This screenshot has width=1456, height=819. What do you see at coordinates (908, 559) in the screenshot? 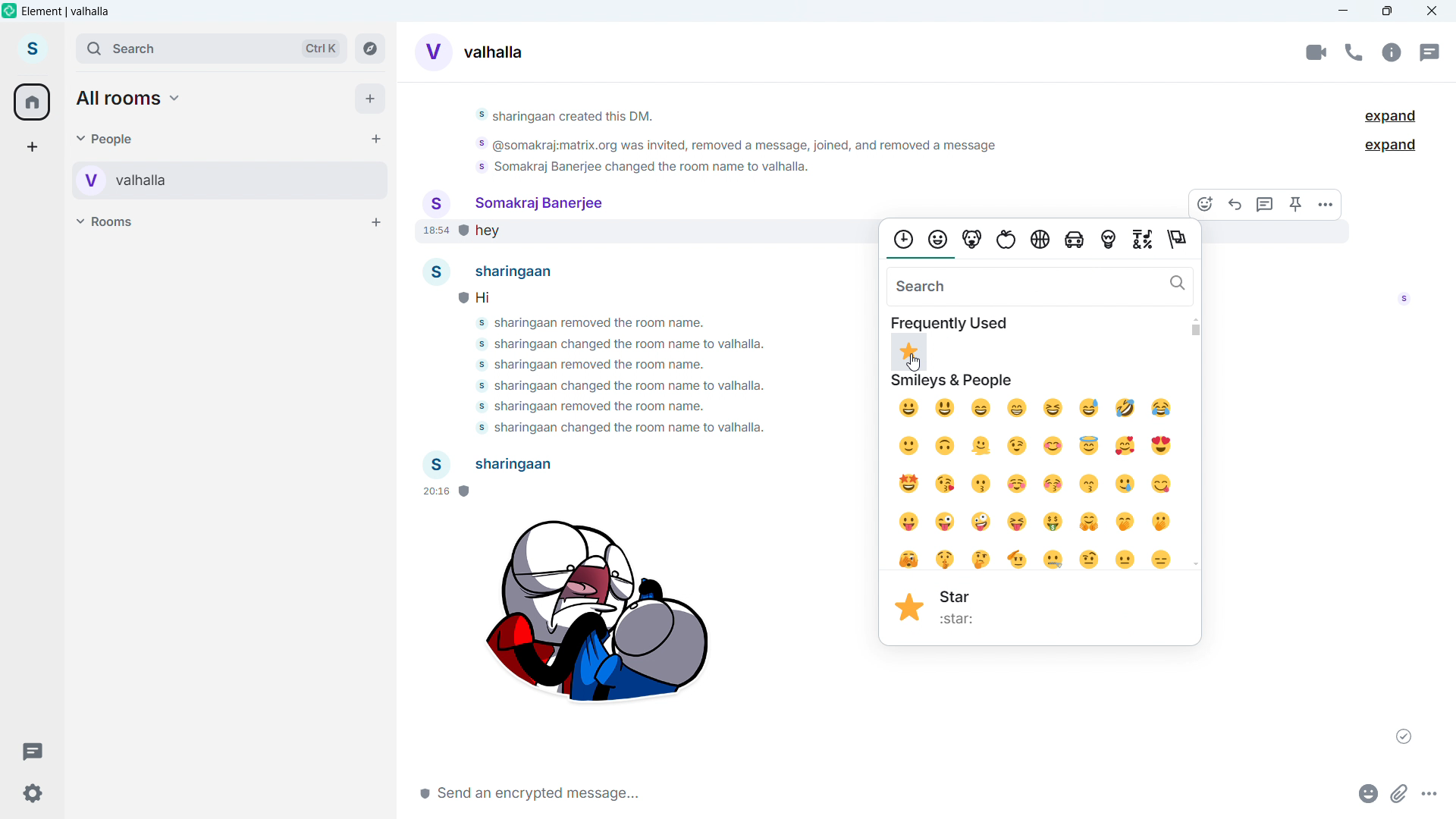
I see `face with peeking eyes` at bounding box center [908, 559].